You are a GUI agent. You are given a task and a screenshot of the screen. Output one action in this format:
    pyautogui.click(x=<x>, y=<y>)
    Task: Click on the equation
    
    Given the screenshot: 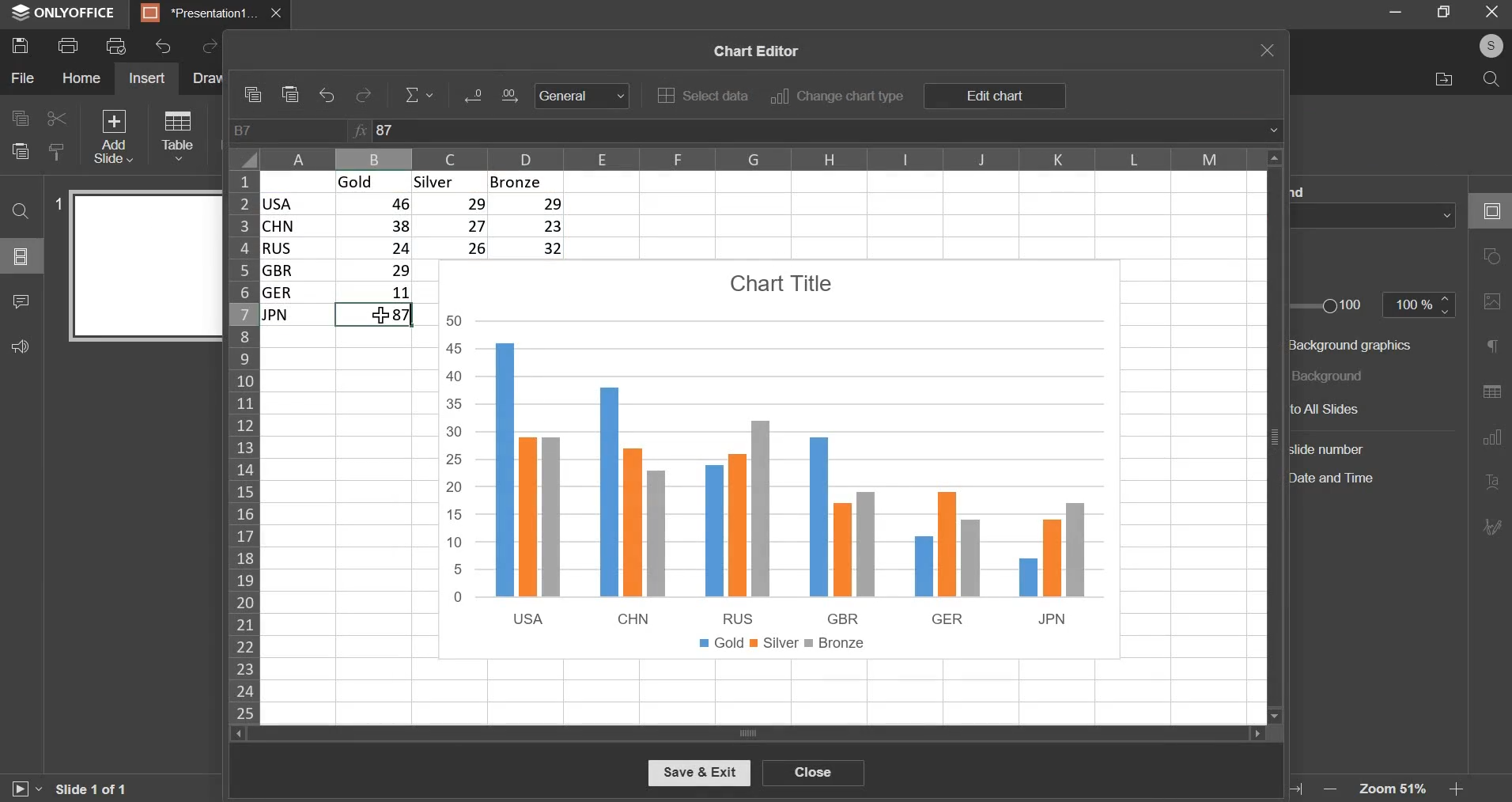 What is the action you would take?
    pyautogui.click(x=420, y=95)
    